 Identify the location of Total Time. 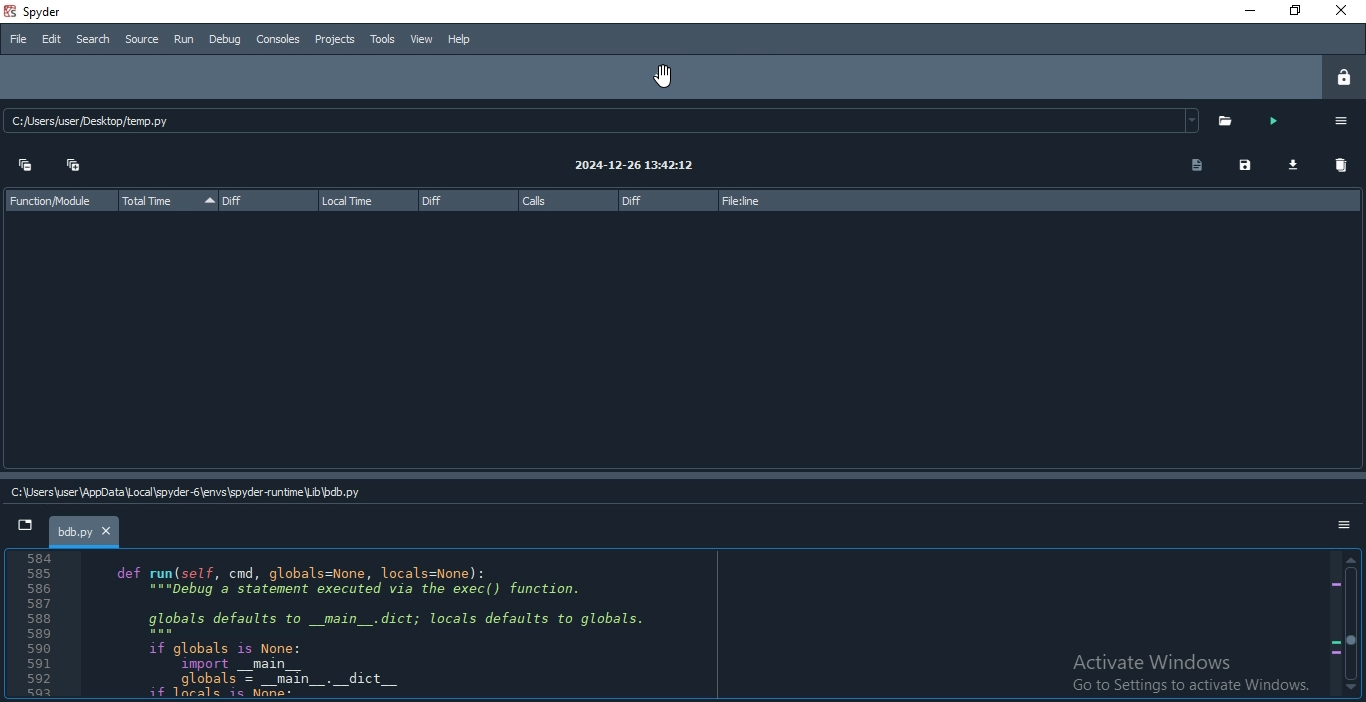
(166, 201).